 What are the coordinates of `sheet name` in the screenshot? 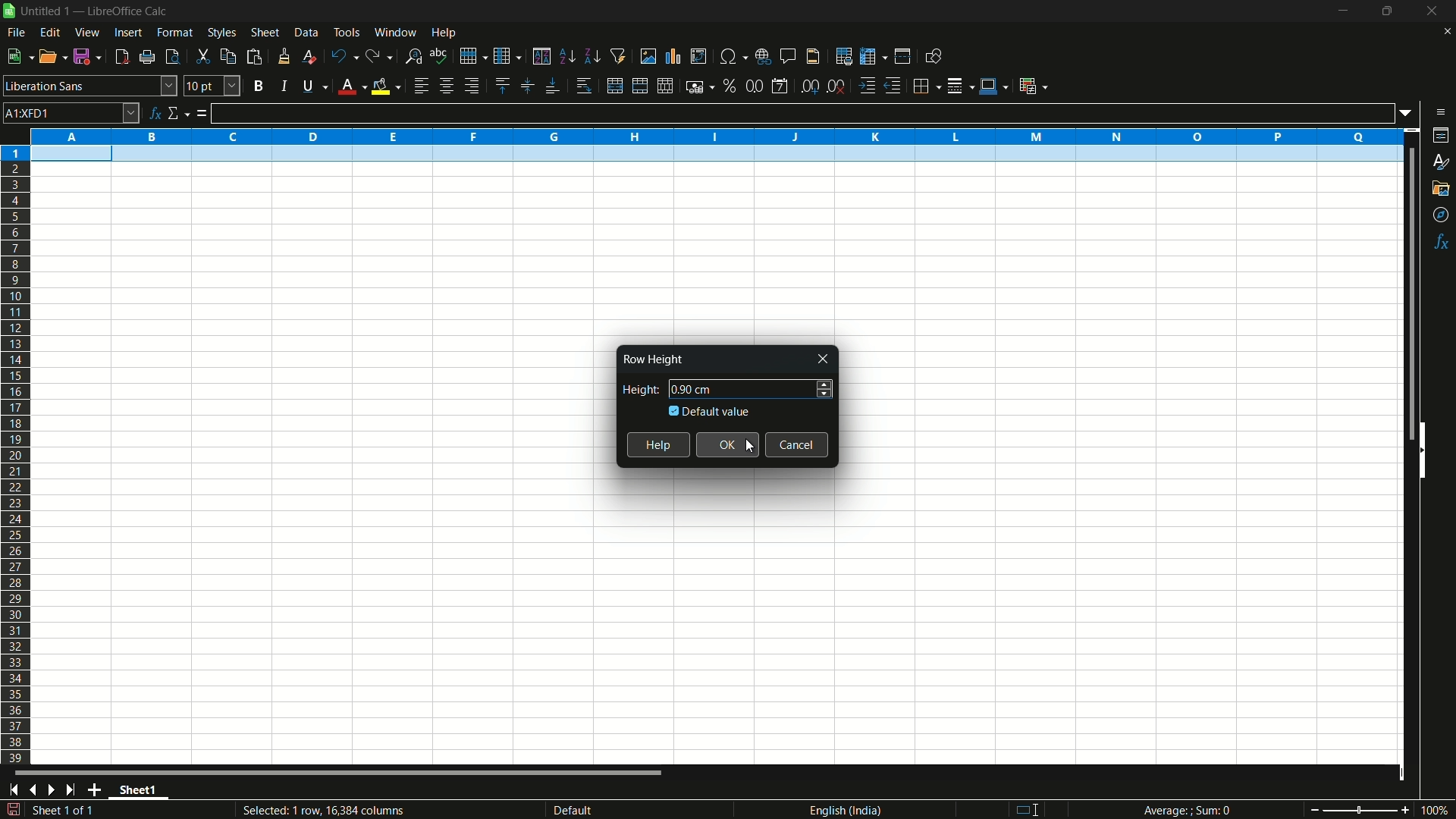 It's located at (143, 792).